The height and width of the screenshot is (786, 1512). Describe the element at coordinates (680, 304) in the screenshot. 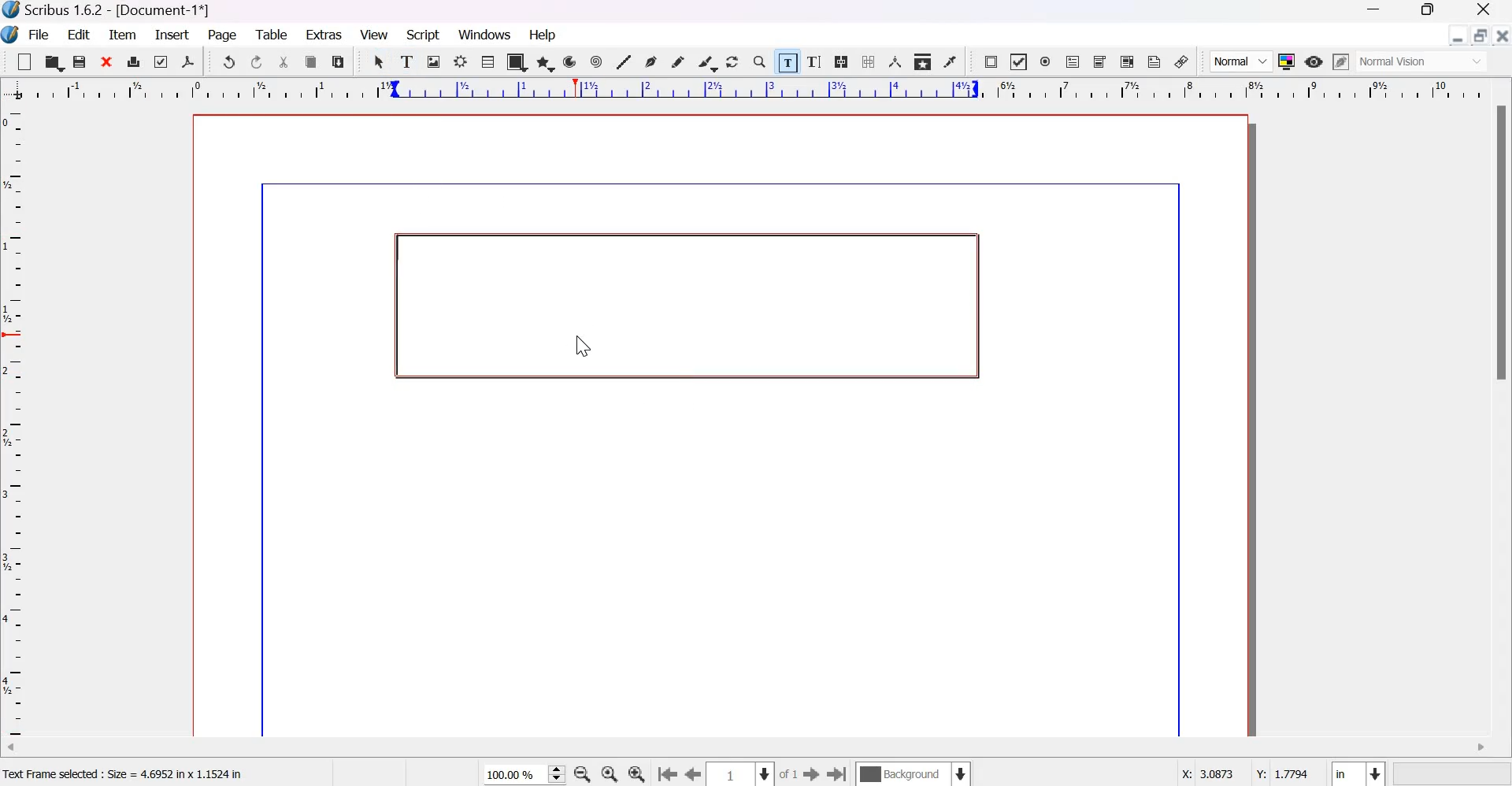

I see `text frame` at that location.